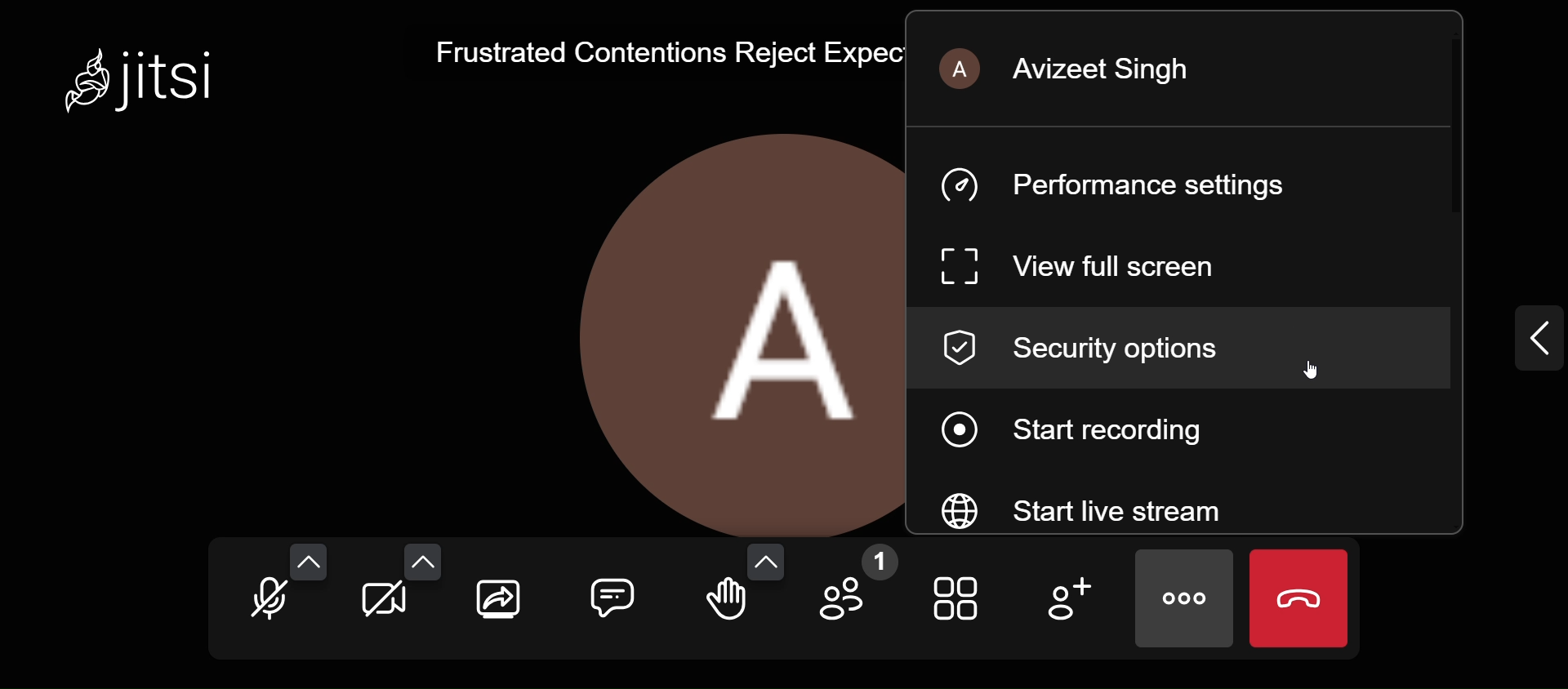 This screenshot has height=689, width=1568. What do you see at coordinates (765, 562) in the screenshot?
I see `more reactions` at bounding box center [765, 562].